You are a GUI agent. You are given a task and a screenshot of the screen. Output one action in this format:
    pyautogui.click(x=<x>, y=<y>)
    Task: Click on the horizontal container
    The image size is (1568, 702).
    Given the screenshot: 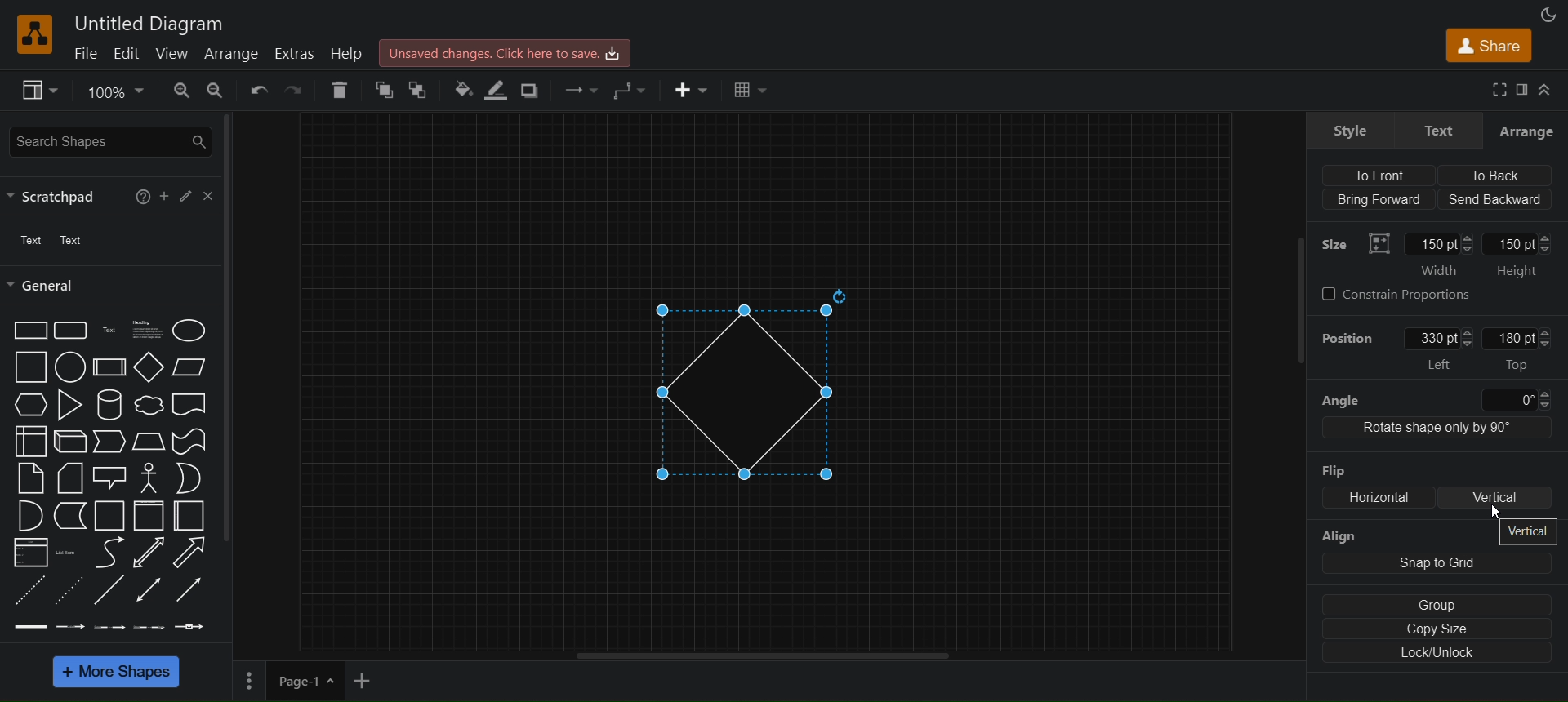 What is the action you would take?
    pyautogui.click(x=189, y=514)
    